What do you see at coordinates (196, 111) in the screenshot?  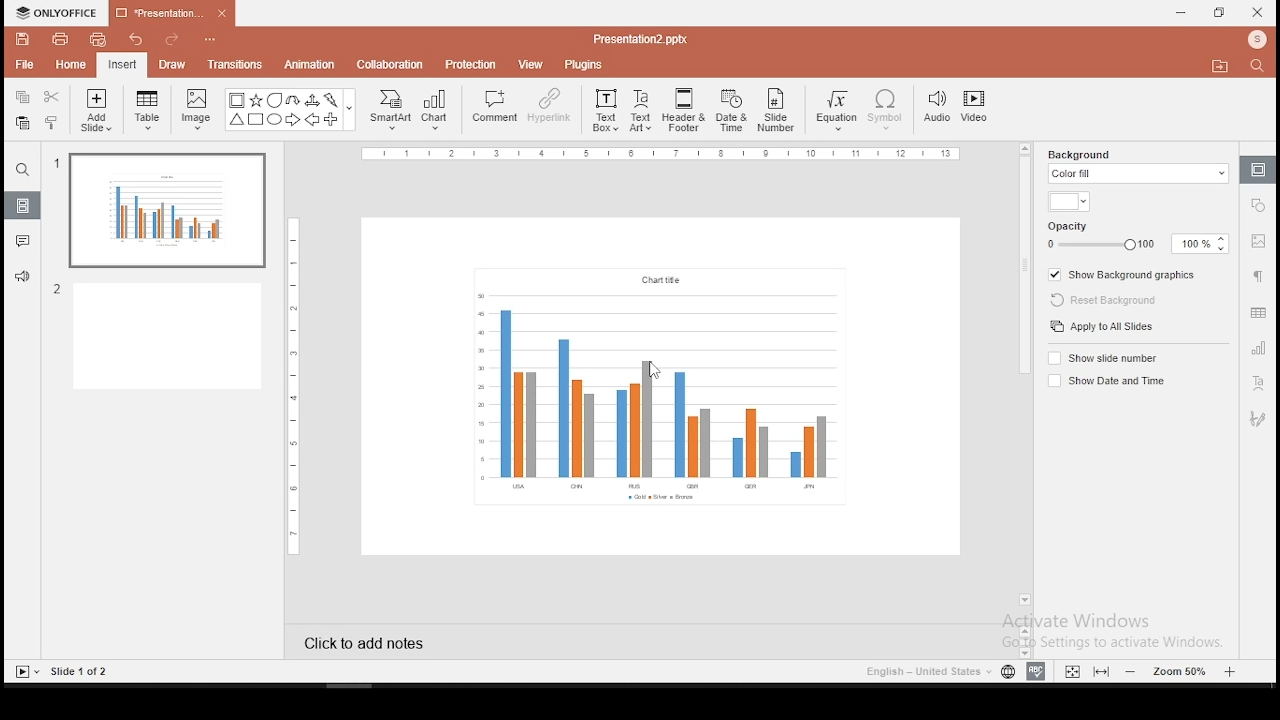 I see `image` at bounding box center [196, 111].